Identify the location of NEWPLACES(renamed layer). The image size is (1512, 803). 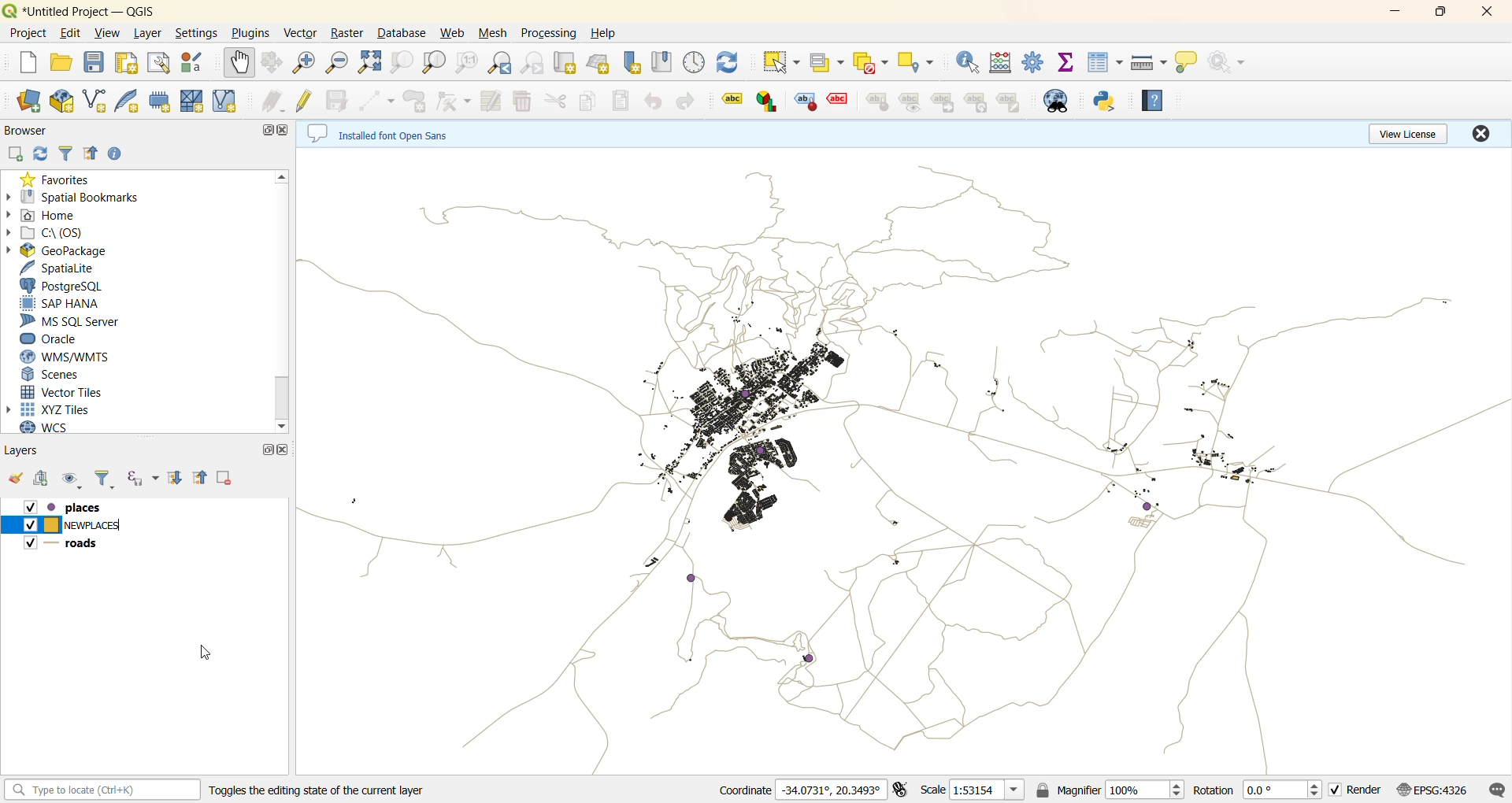
(70, 525).